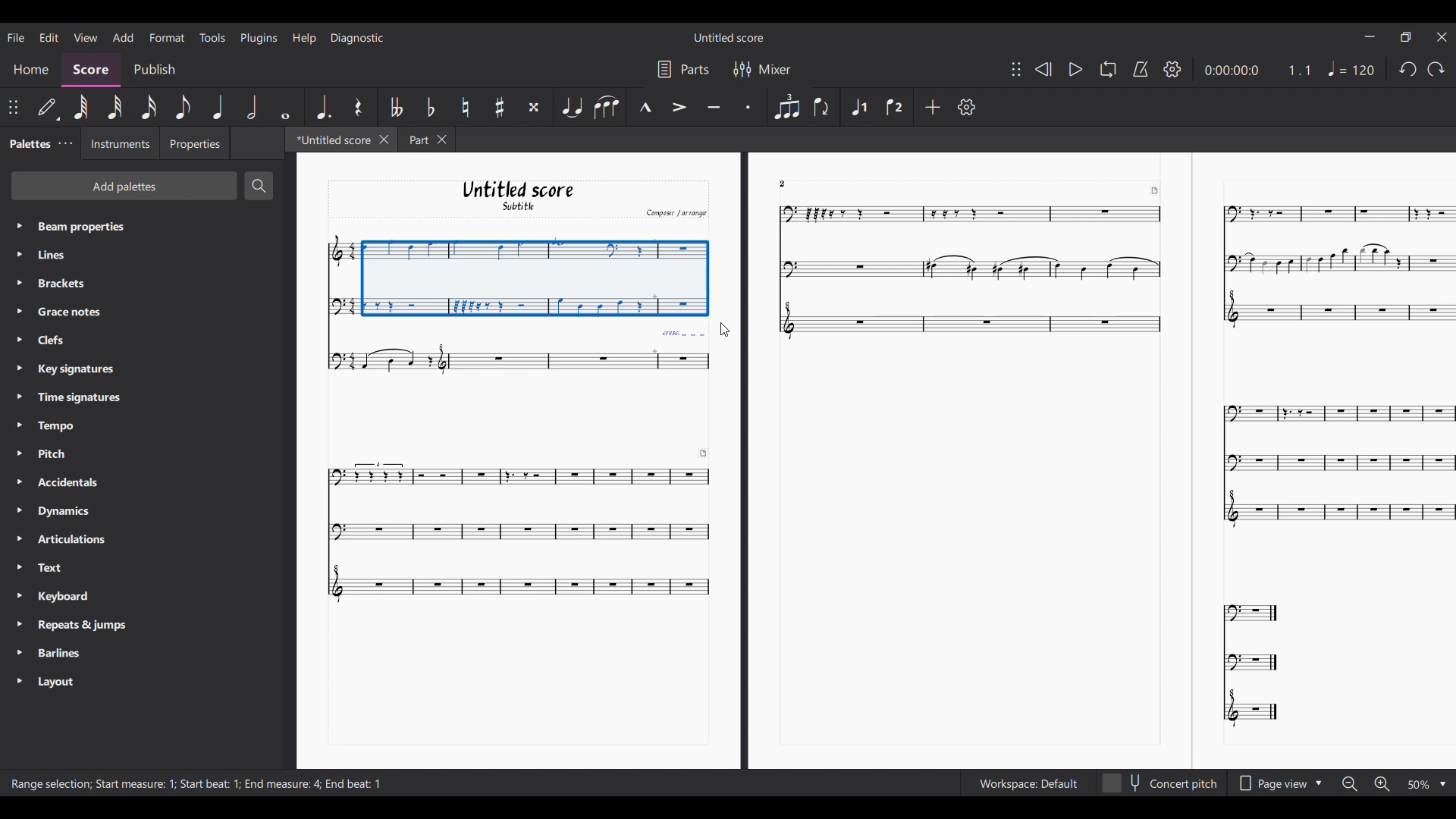 The height and width of the screenshot is (819, 1456). I want to click on Toggle double flat, so click(397, 106).